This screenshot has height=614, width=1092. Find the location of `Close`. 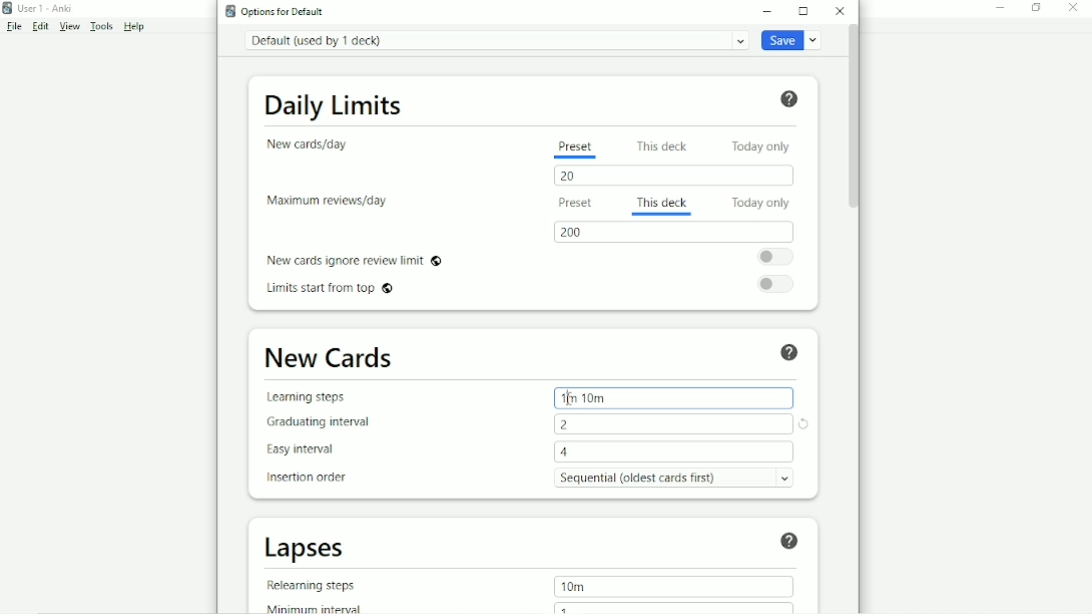

Close is located at coordinates (838, 12).